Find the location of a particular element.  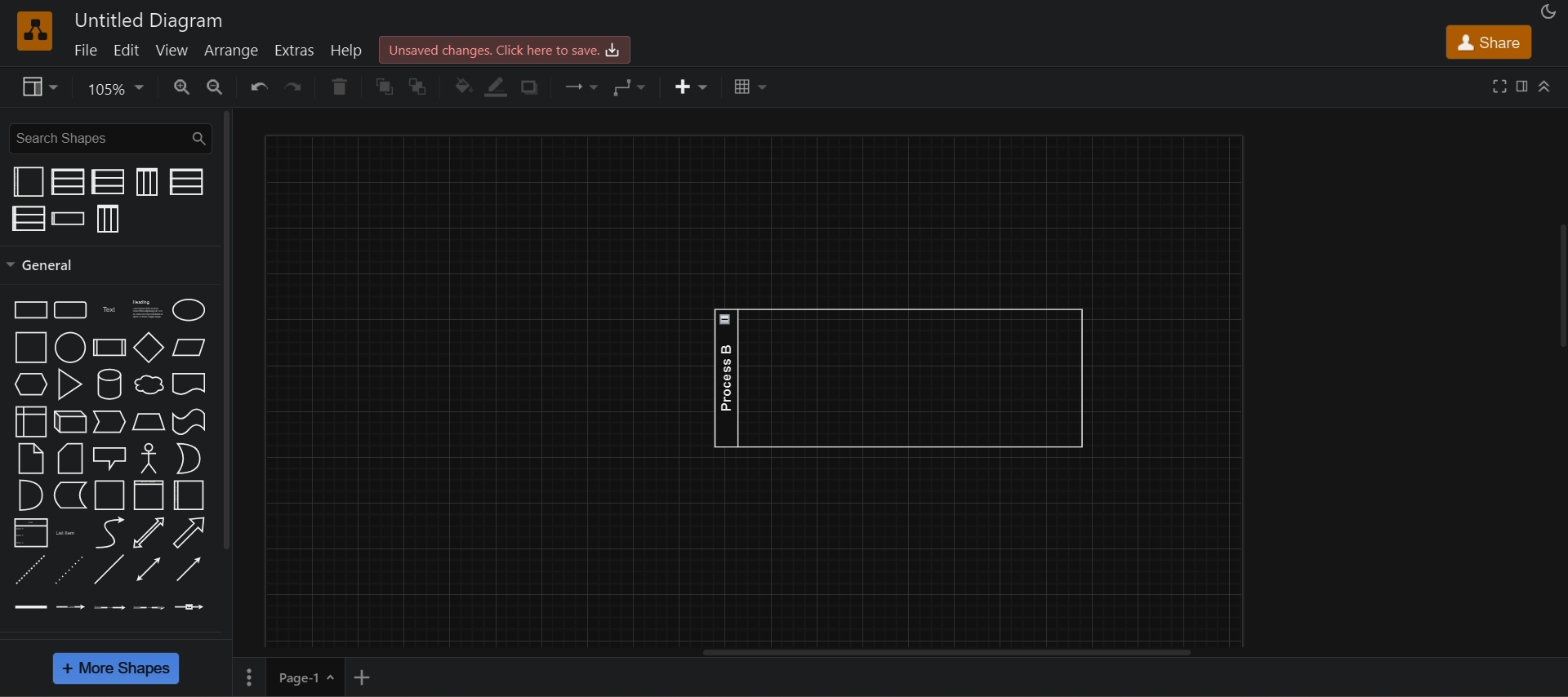

or is located at coordinates (188, 458).